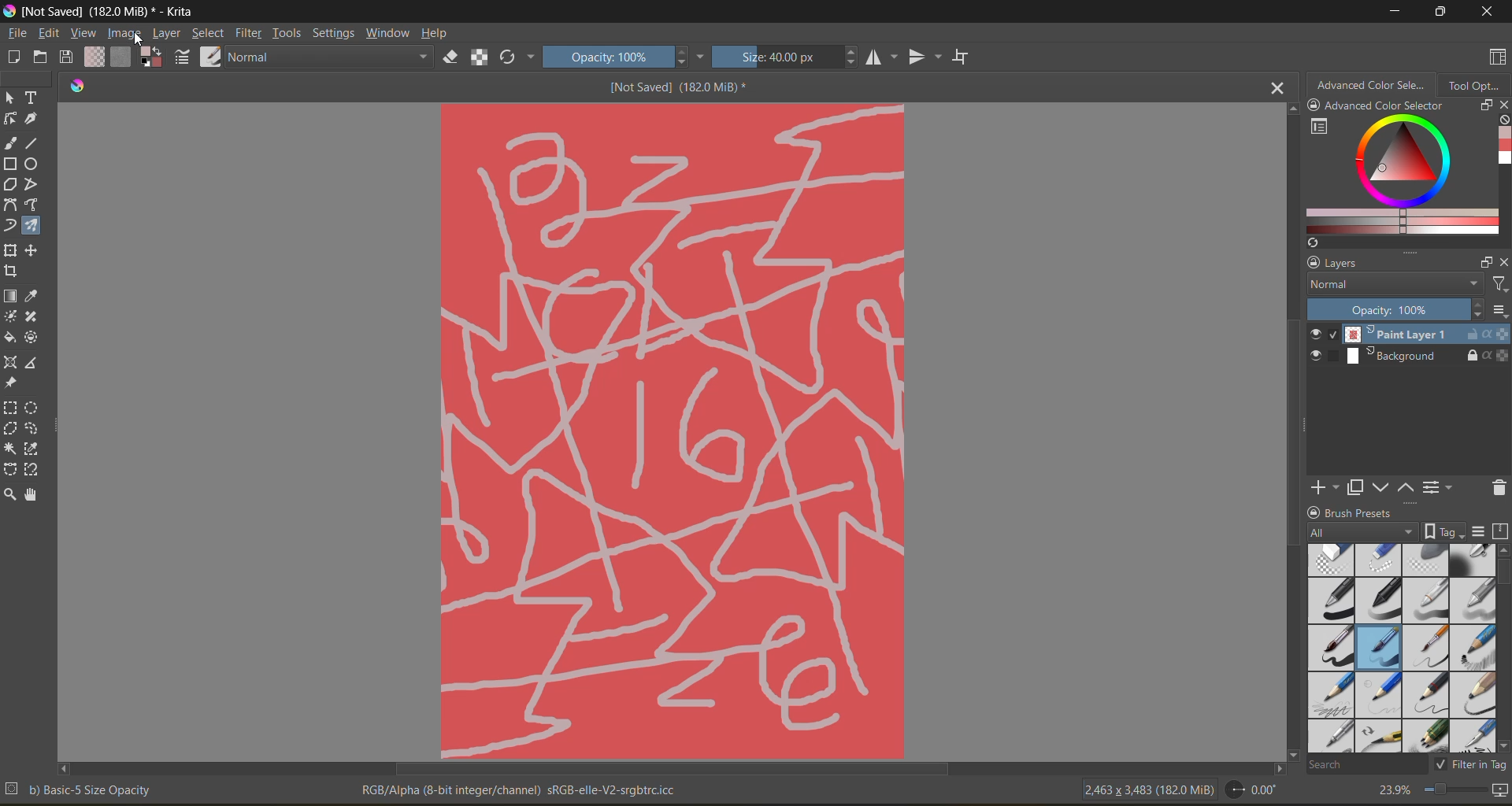 Image resolution: width=1512 pixels, height=806 pixels. I want to click on Cursor, so click(145, 39).